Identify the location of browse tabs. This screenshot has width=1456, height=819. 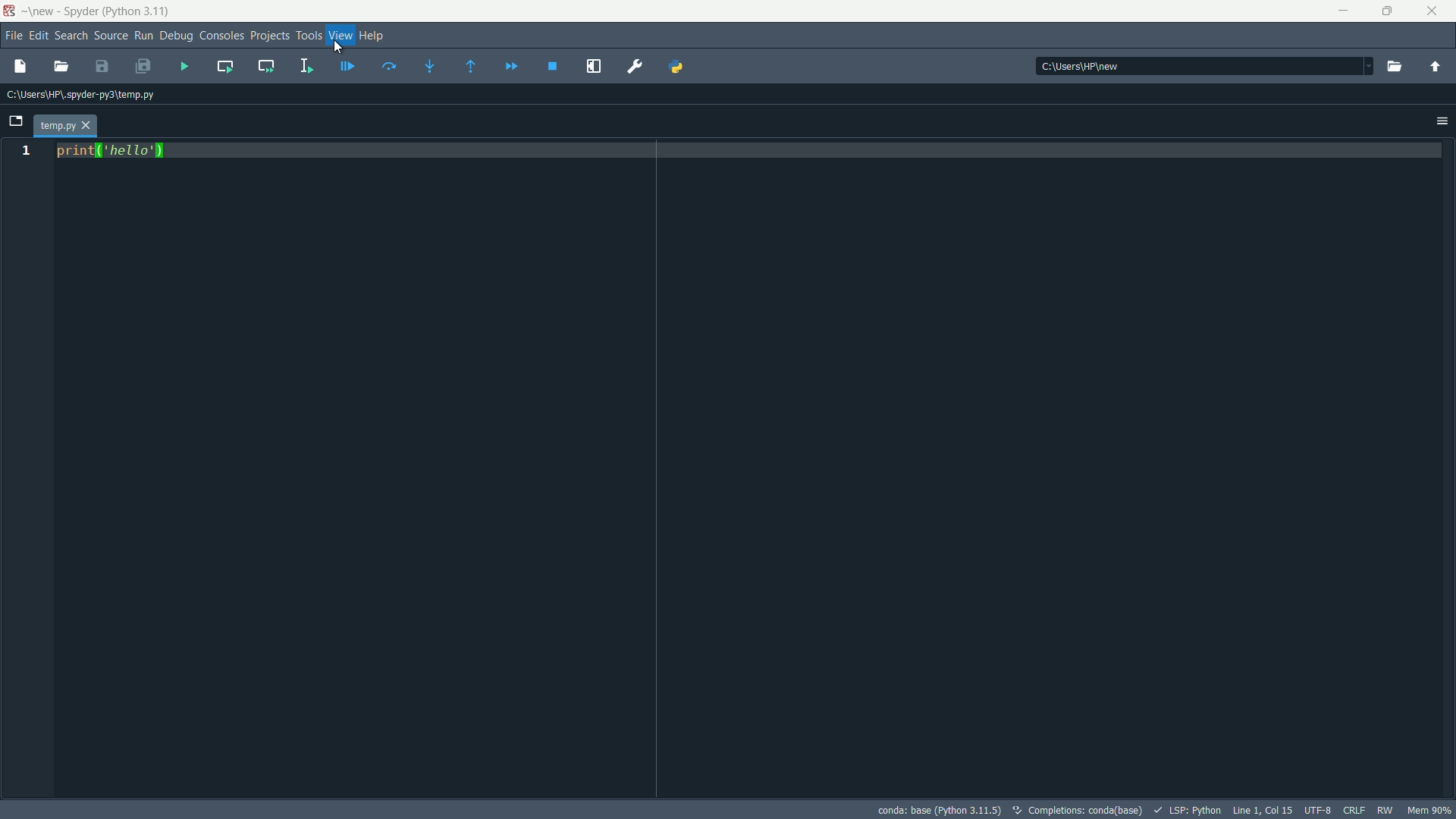
(17, 121).